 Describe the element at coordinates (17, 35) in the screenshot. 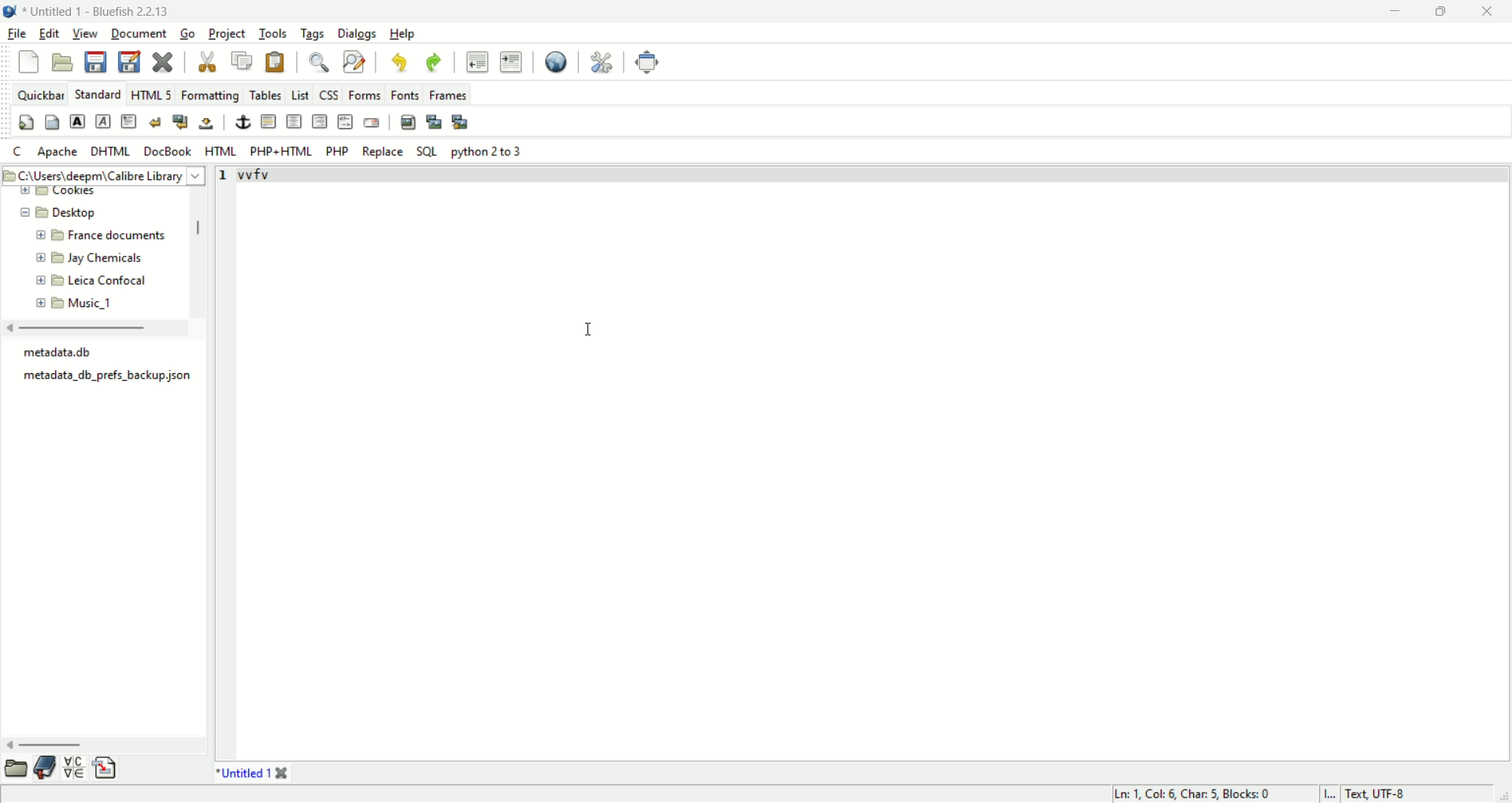

I see `file` at that location.